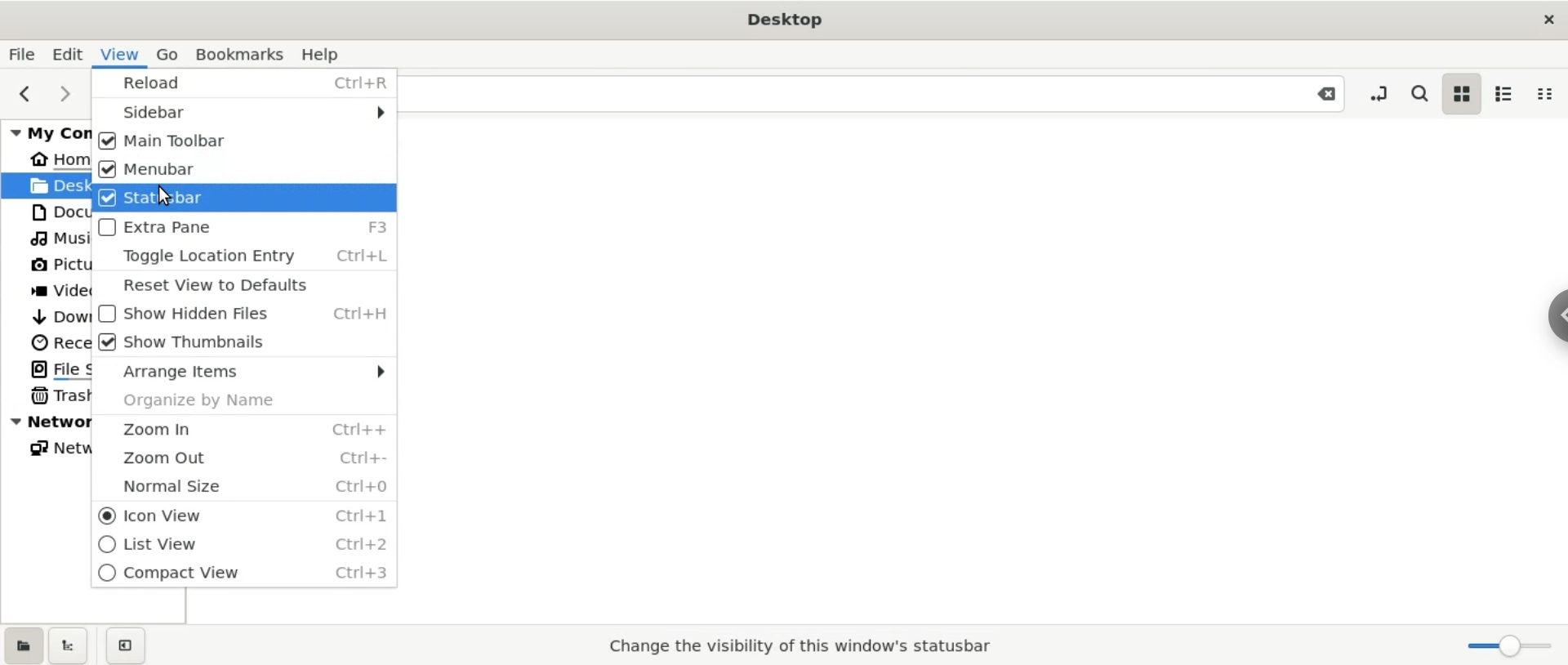 The image size is (1568, 665). I want to click on Extra Pane, so click(242, 227).